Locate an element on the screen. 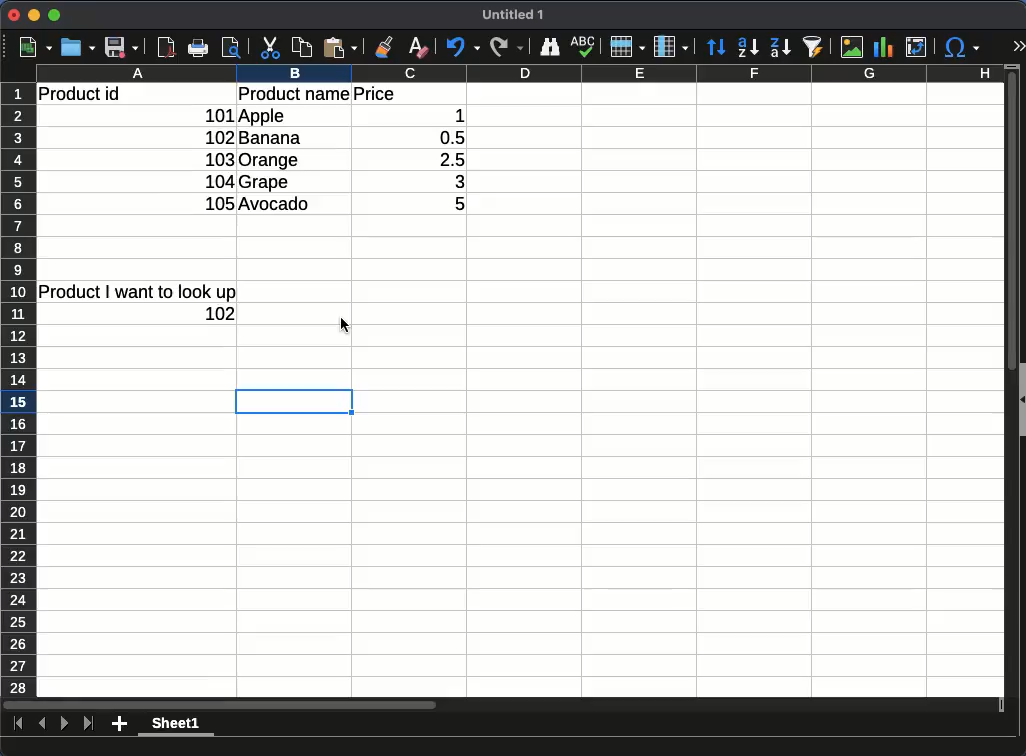  pdf viewer is located at coordinates (166, 47).